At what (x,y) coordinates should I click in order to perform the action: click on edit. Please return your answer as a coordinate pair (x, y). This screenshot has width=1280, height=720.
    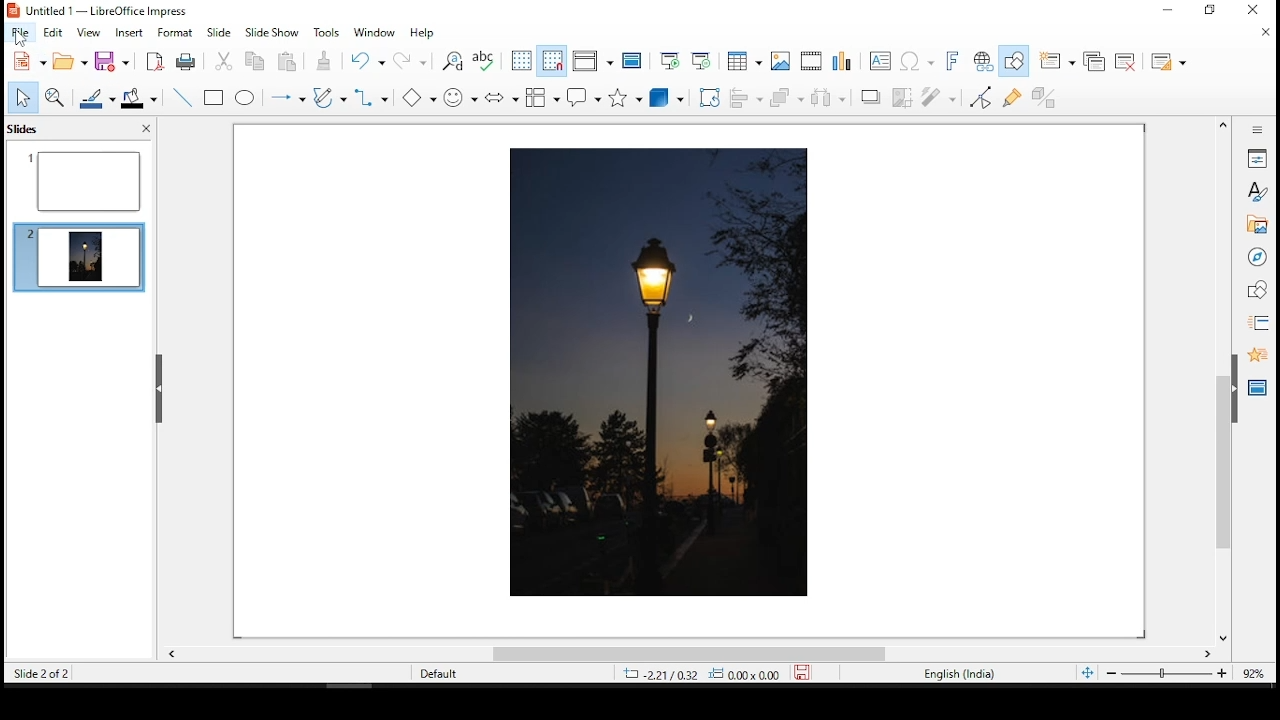
    Looking at the image, I should click on (51, 31).